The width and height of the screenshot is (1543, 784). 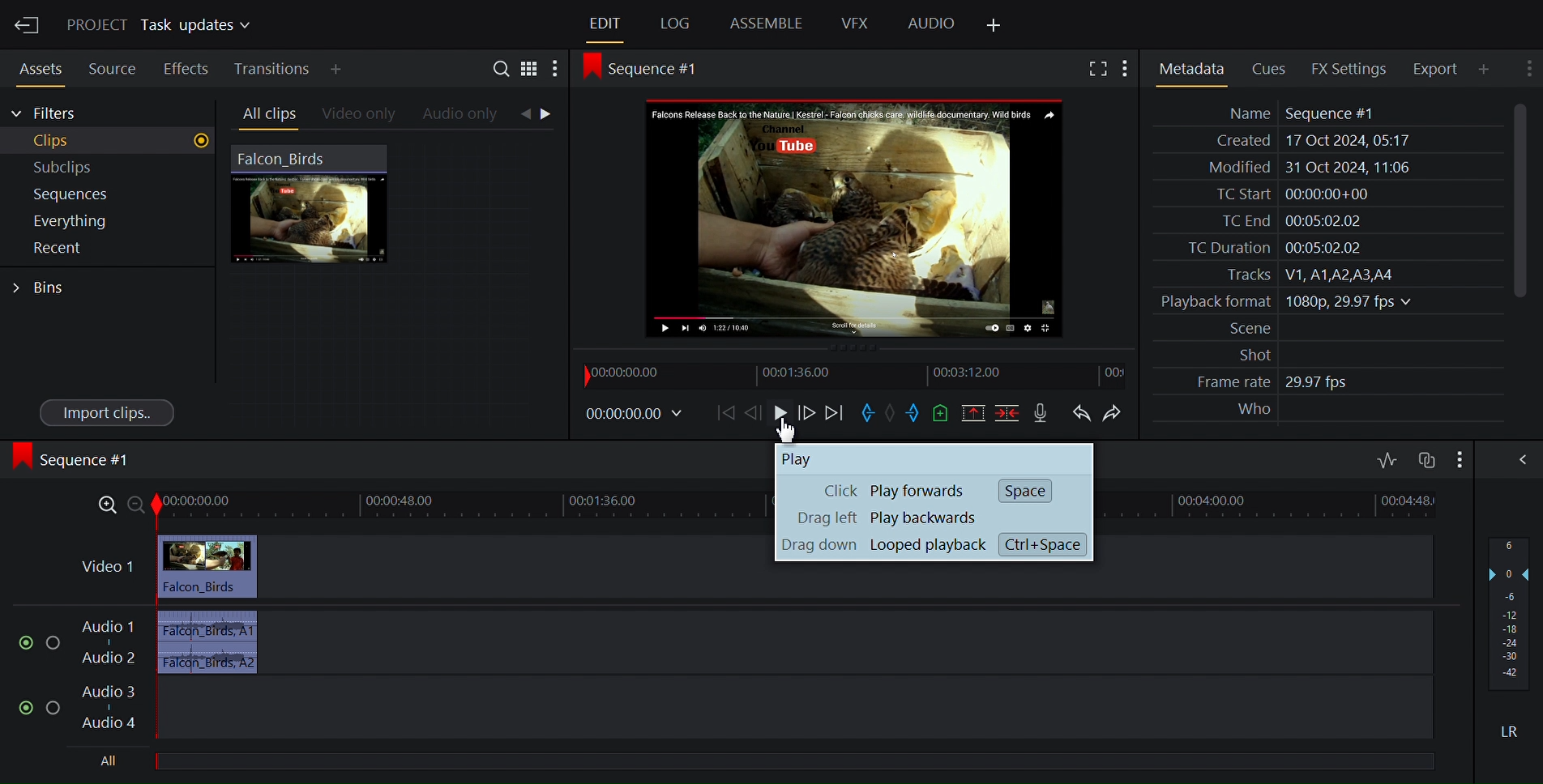 I want to click on Who, so click(x=1251, y=410).